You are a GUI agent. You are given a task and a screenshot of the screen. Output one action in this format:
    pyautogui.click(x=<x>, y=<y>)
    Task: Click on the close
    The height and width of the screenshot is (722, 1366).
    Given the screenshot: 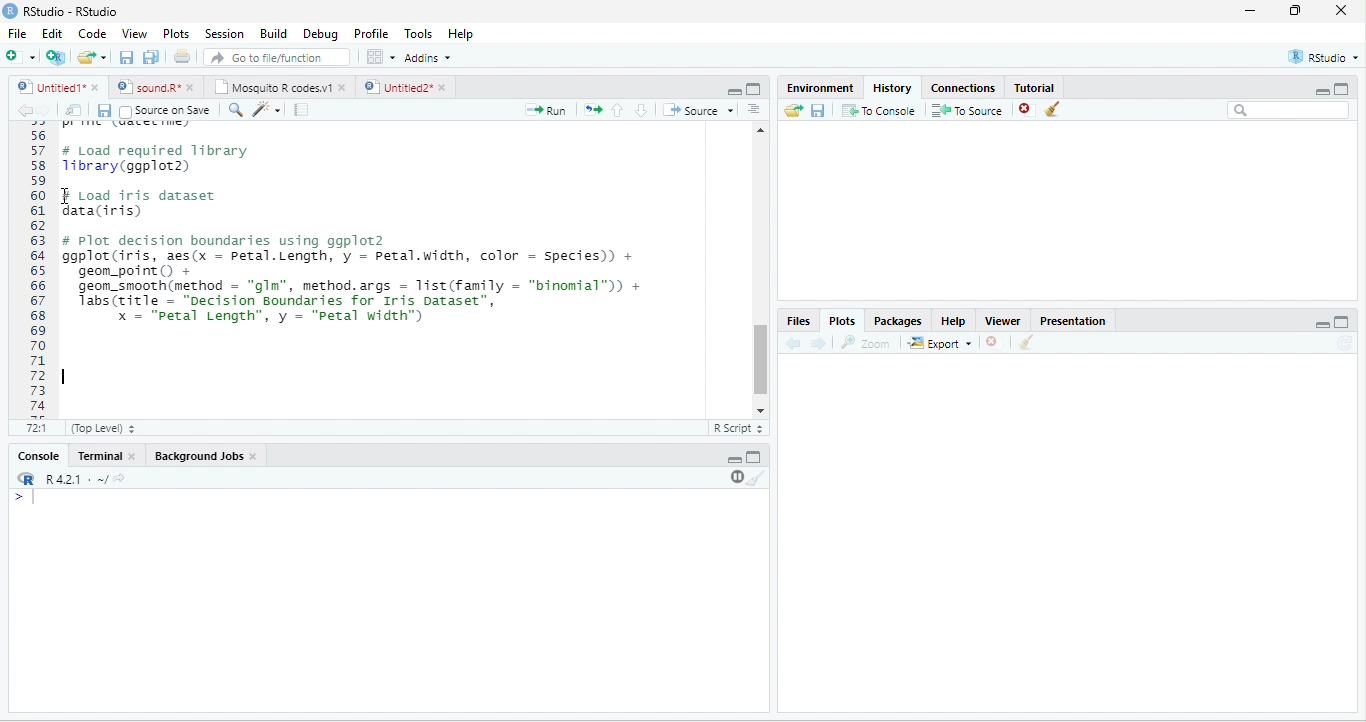 What is the action you would take?
    pyautogui.click(x=445, y=87)
    